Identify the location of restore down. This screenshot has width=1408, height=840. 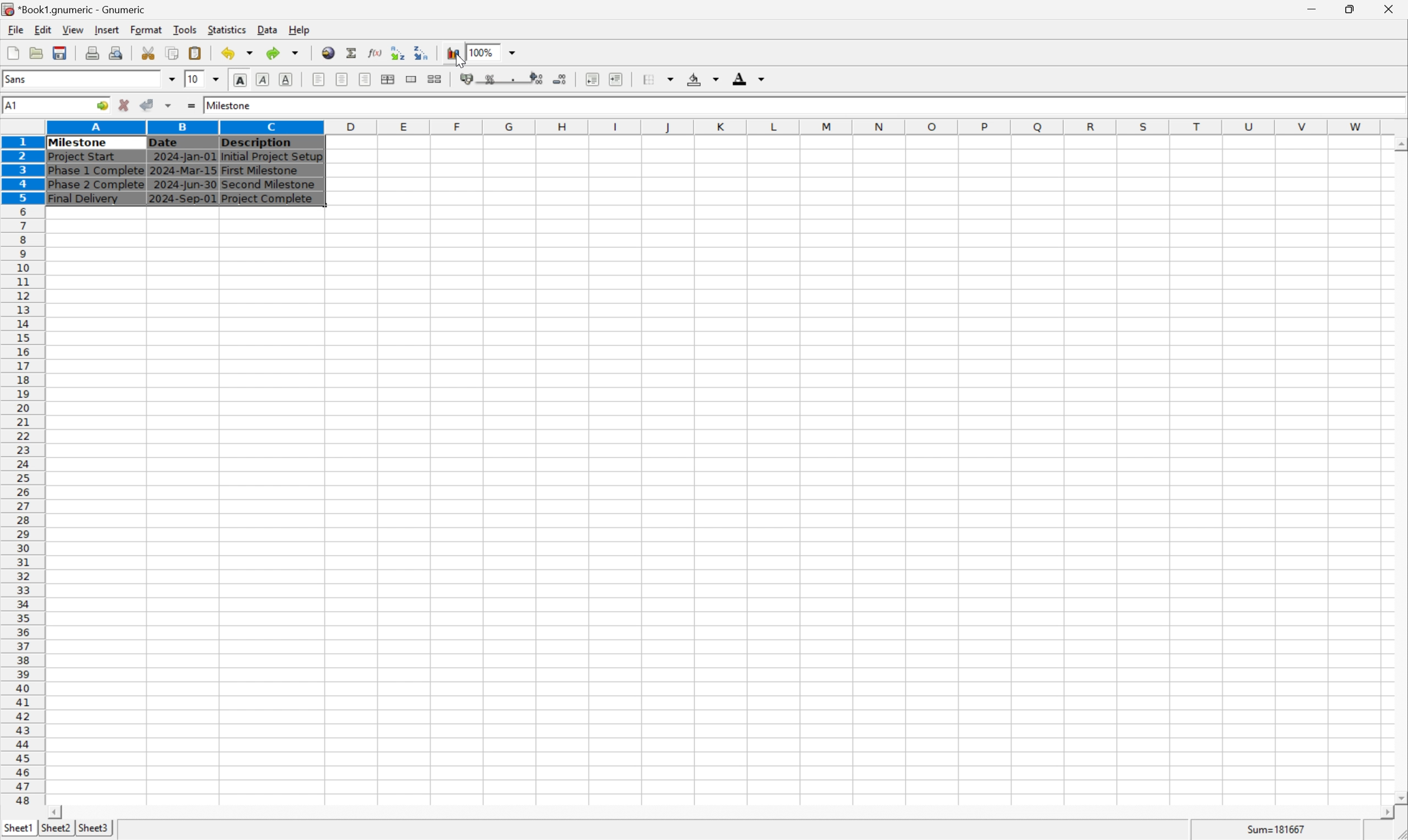
(1354, 9).